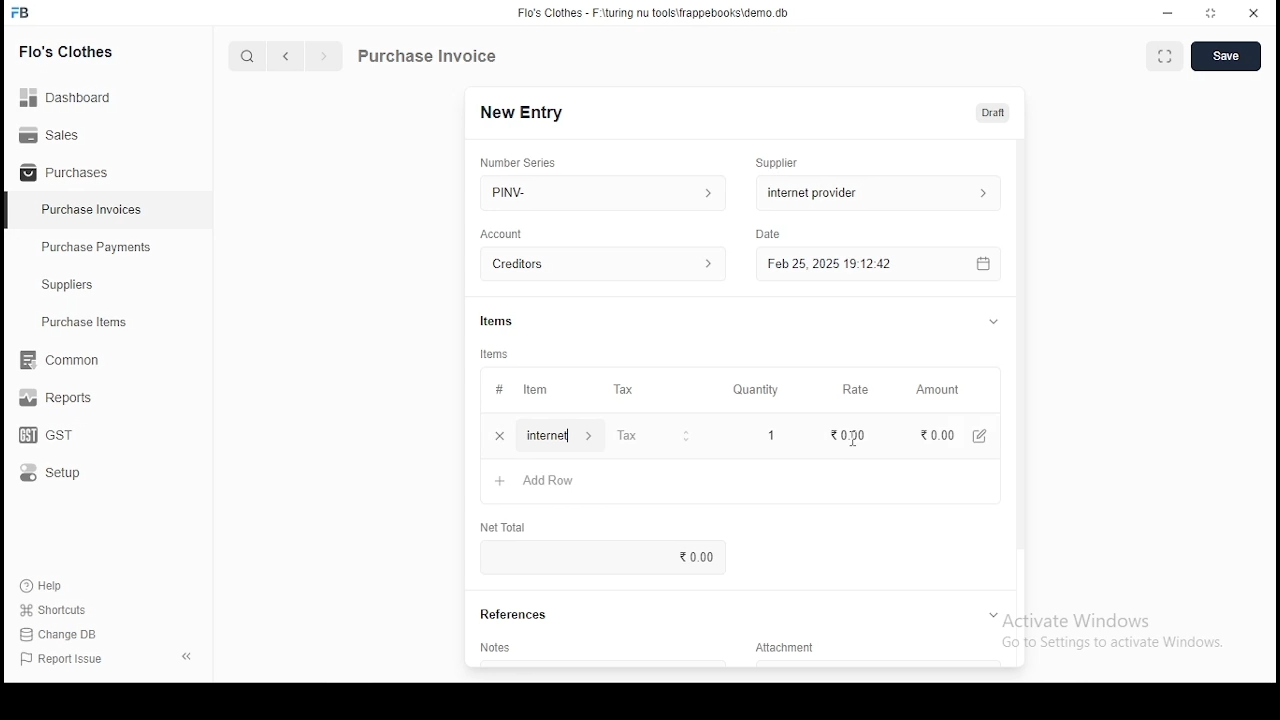 The image size is (1280, 720). What do you see at coordinates (75, 91) in the screenshot?
I see `dashboard` at bounding box center [75, 91].